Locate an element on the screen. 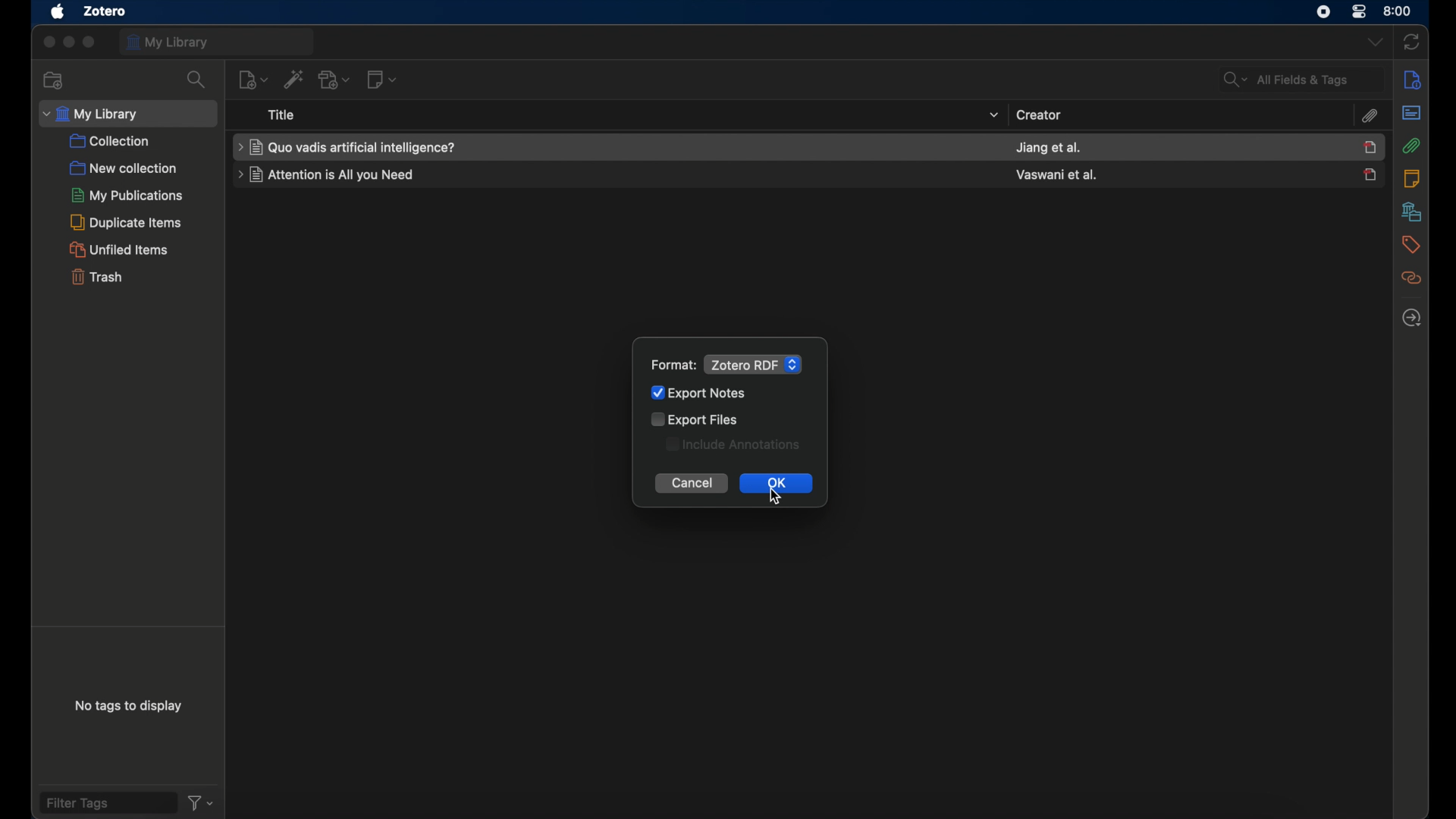  my library  is located at coordinates (218, 42).